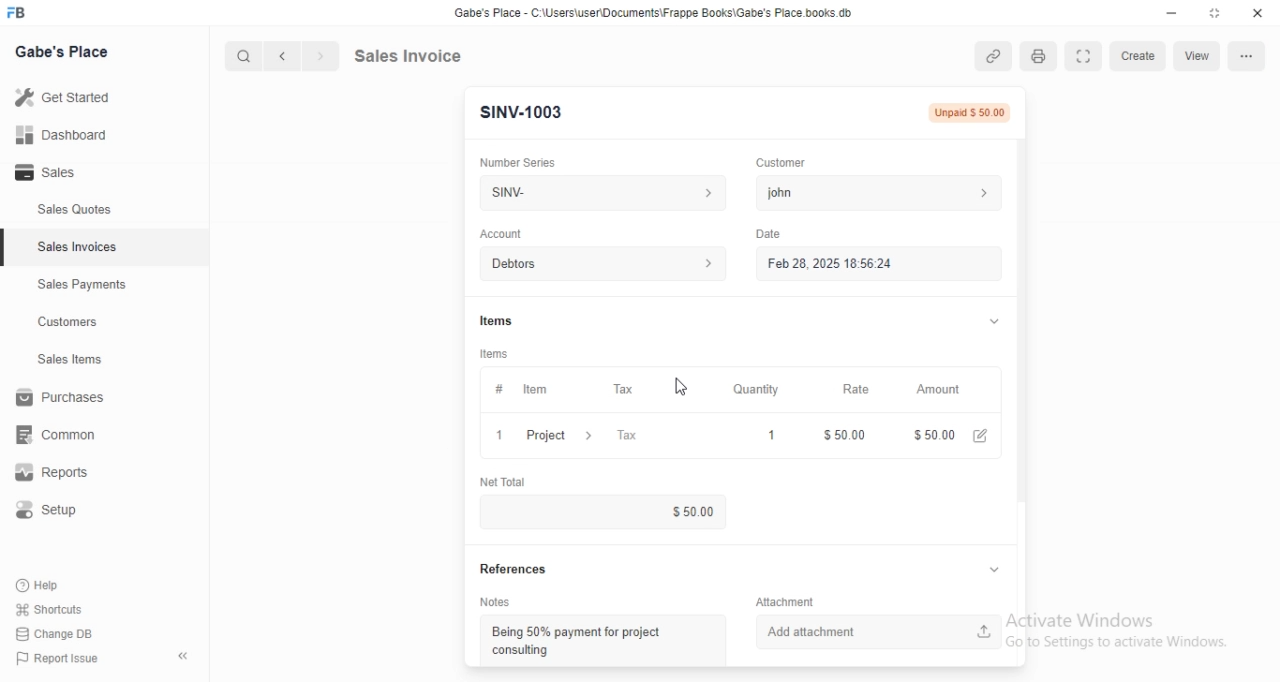 The height and width of the screenshot is (682, 1280). I want to click on 1, so click(773, 434).